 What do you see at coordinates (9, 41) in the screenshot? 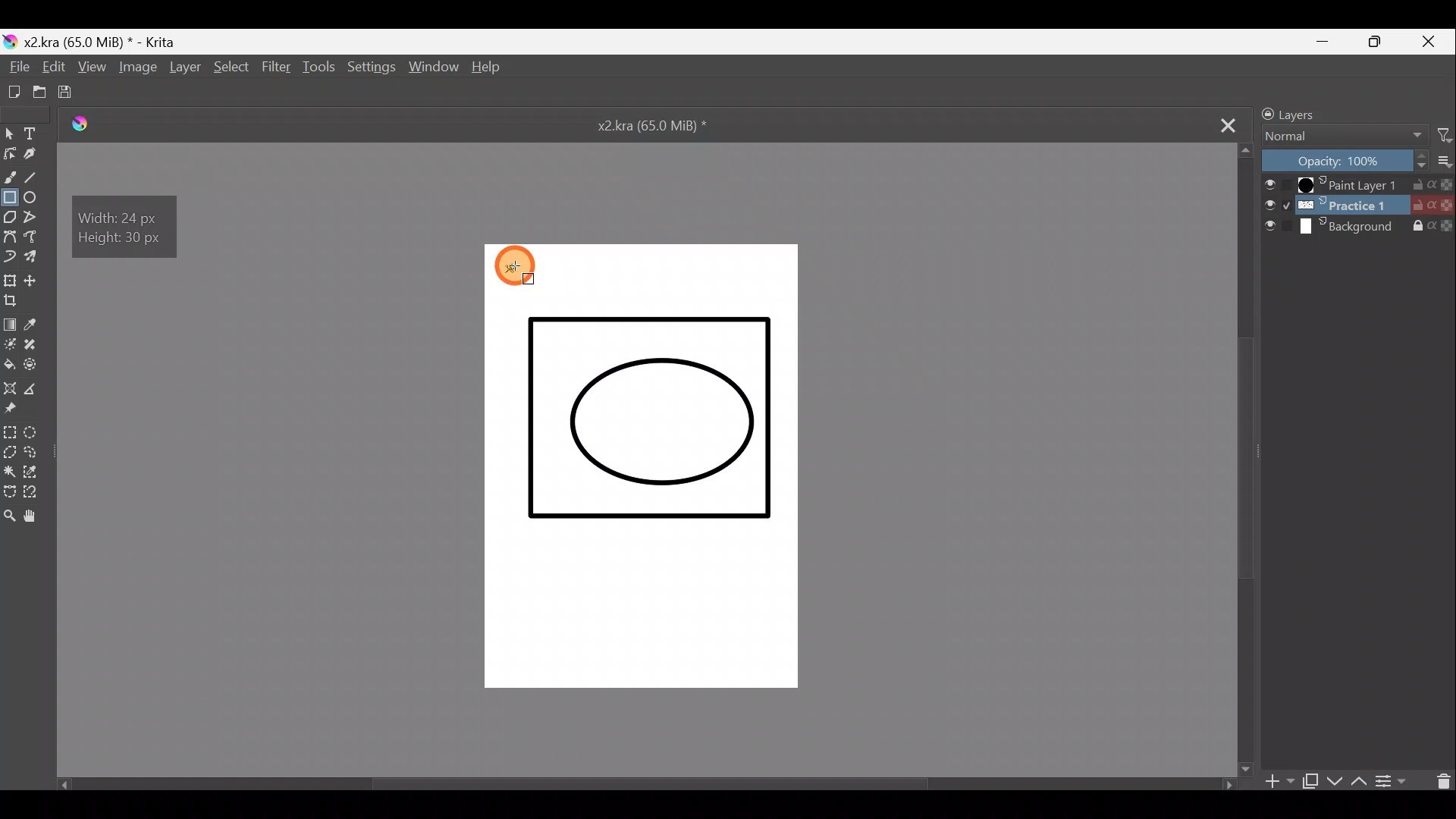
I see `Krita logo` at bounding box center [9, 41].